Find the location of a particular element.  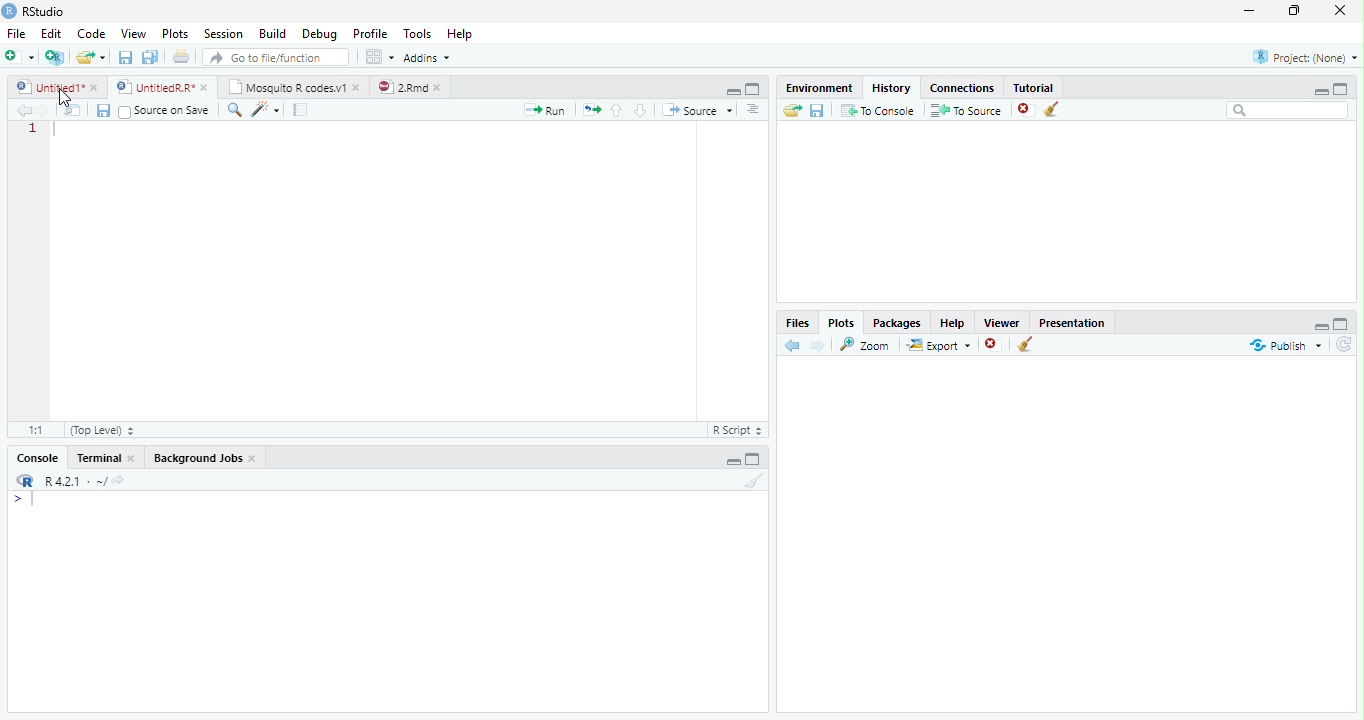

Go to previous plot is located at coordinates (793, 345).